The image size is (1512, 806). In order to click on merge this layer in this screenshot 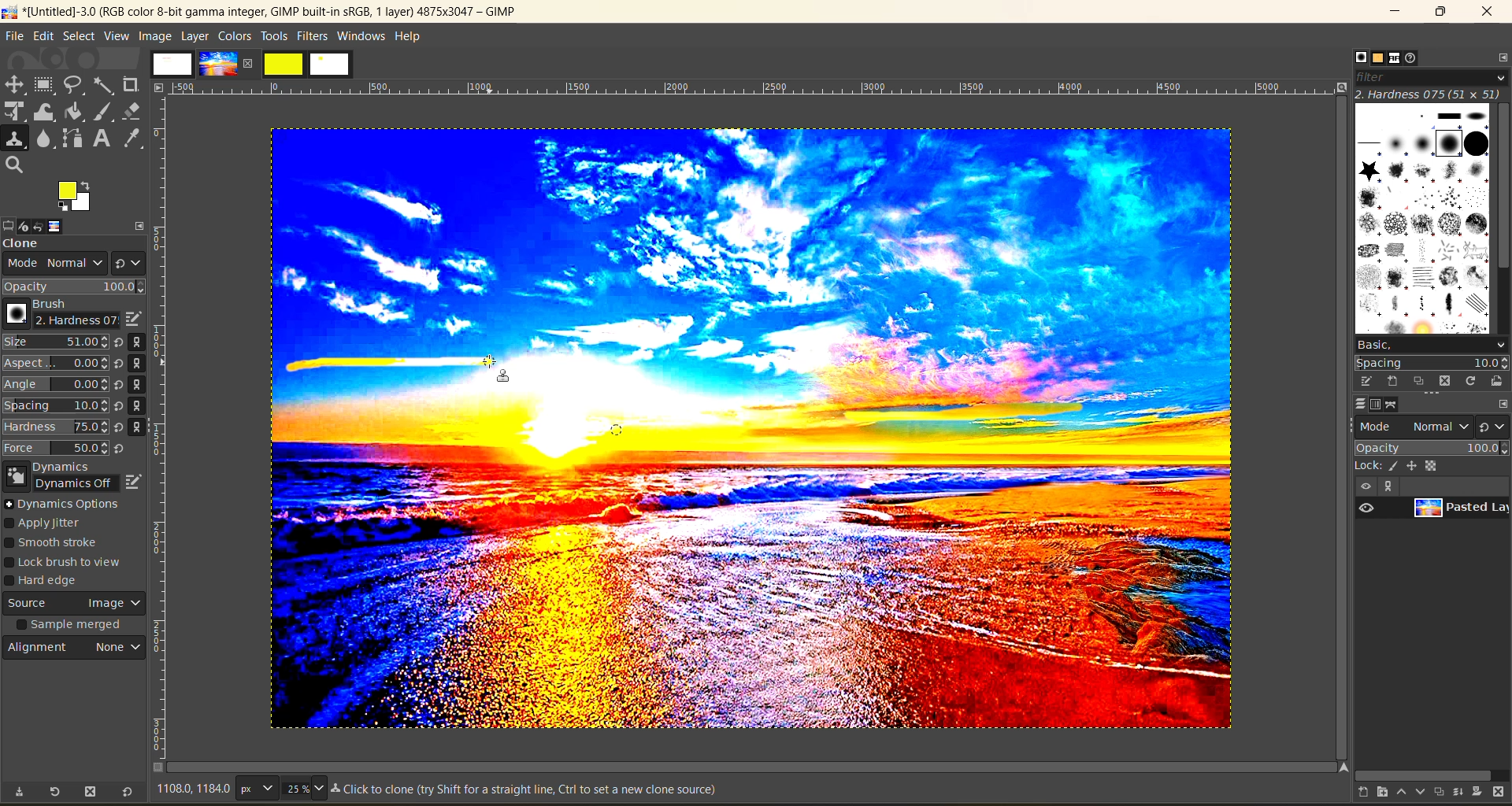, I will do `click(1458, 791)`.